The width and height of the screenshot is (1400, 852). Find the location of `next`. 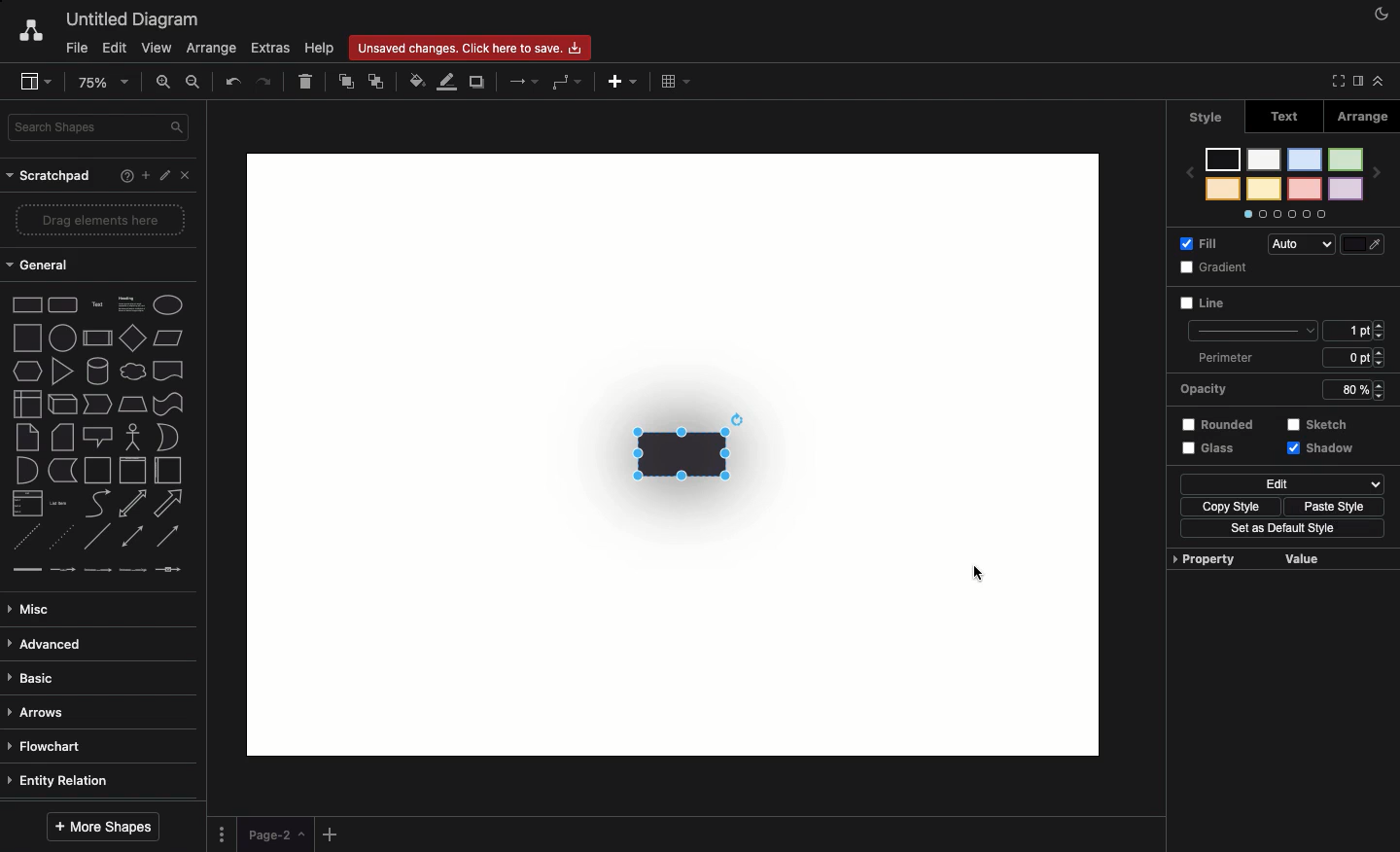

next is located at coordinates (1375, 172).